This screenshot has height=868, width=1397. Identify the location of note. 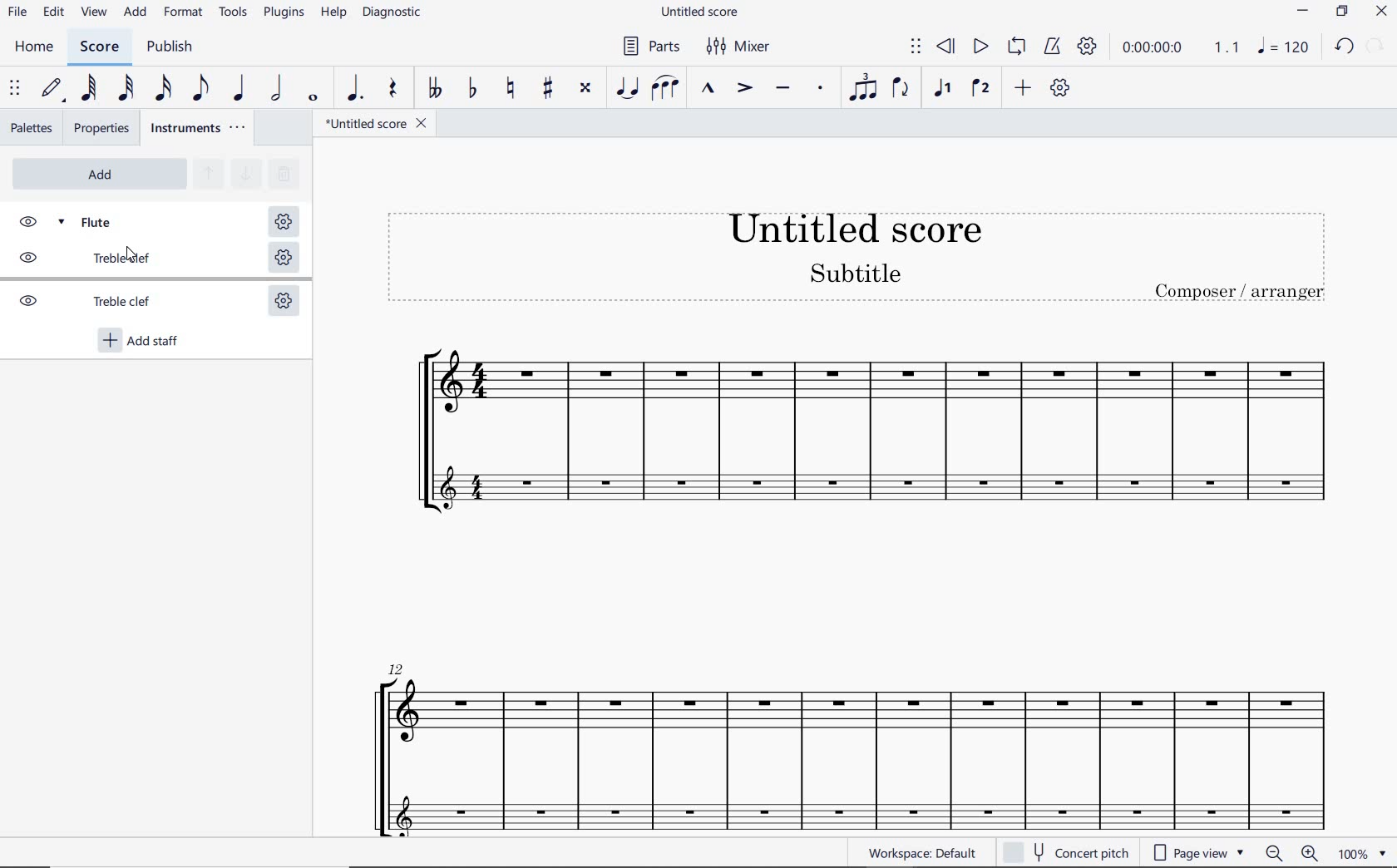
(1287, 46).